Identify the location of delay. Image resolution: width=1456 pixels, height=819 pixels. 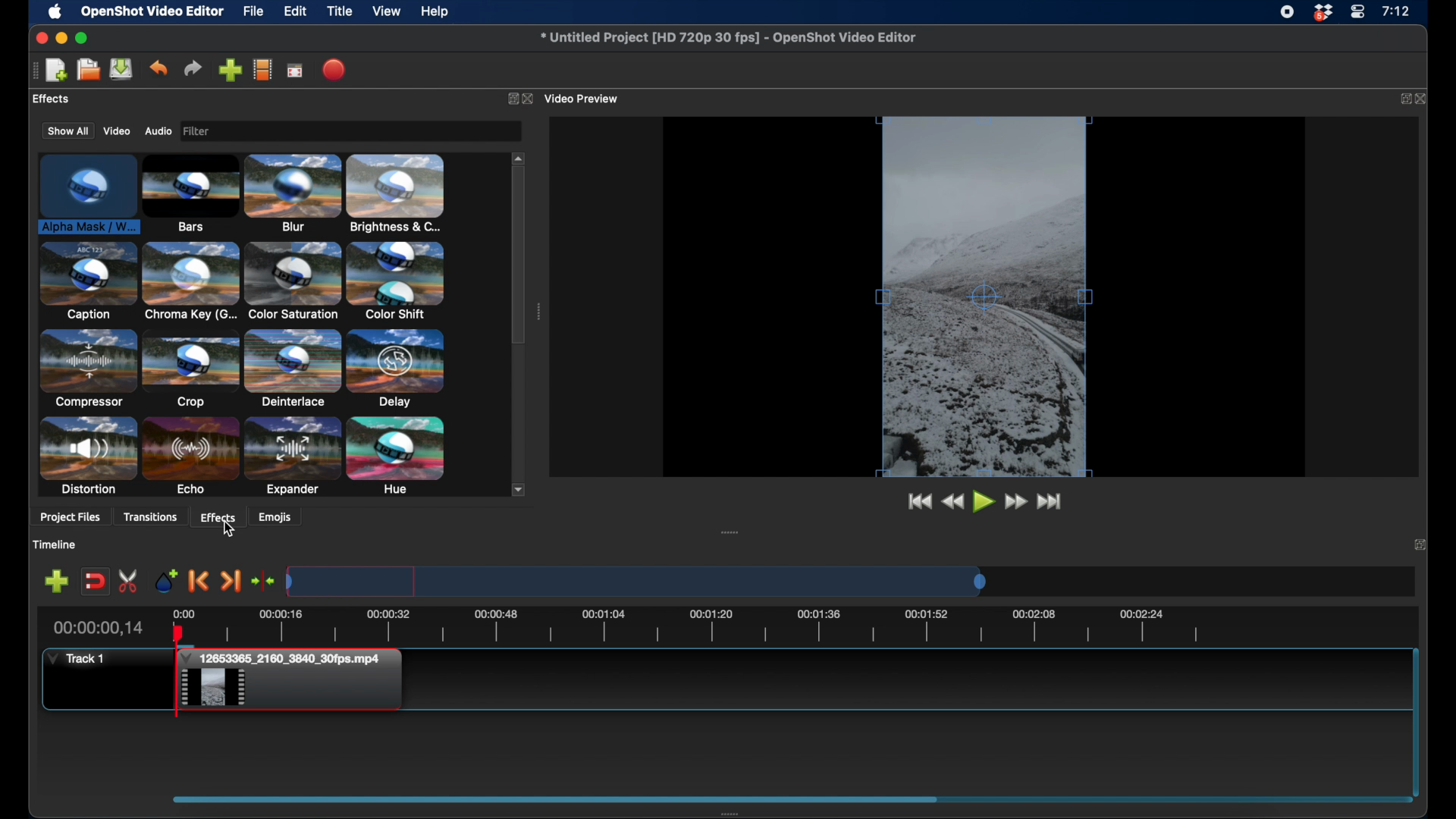
(396, 368).